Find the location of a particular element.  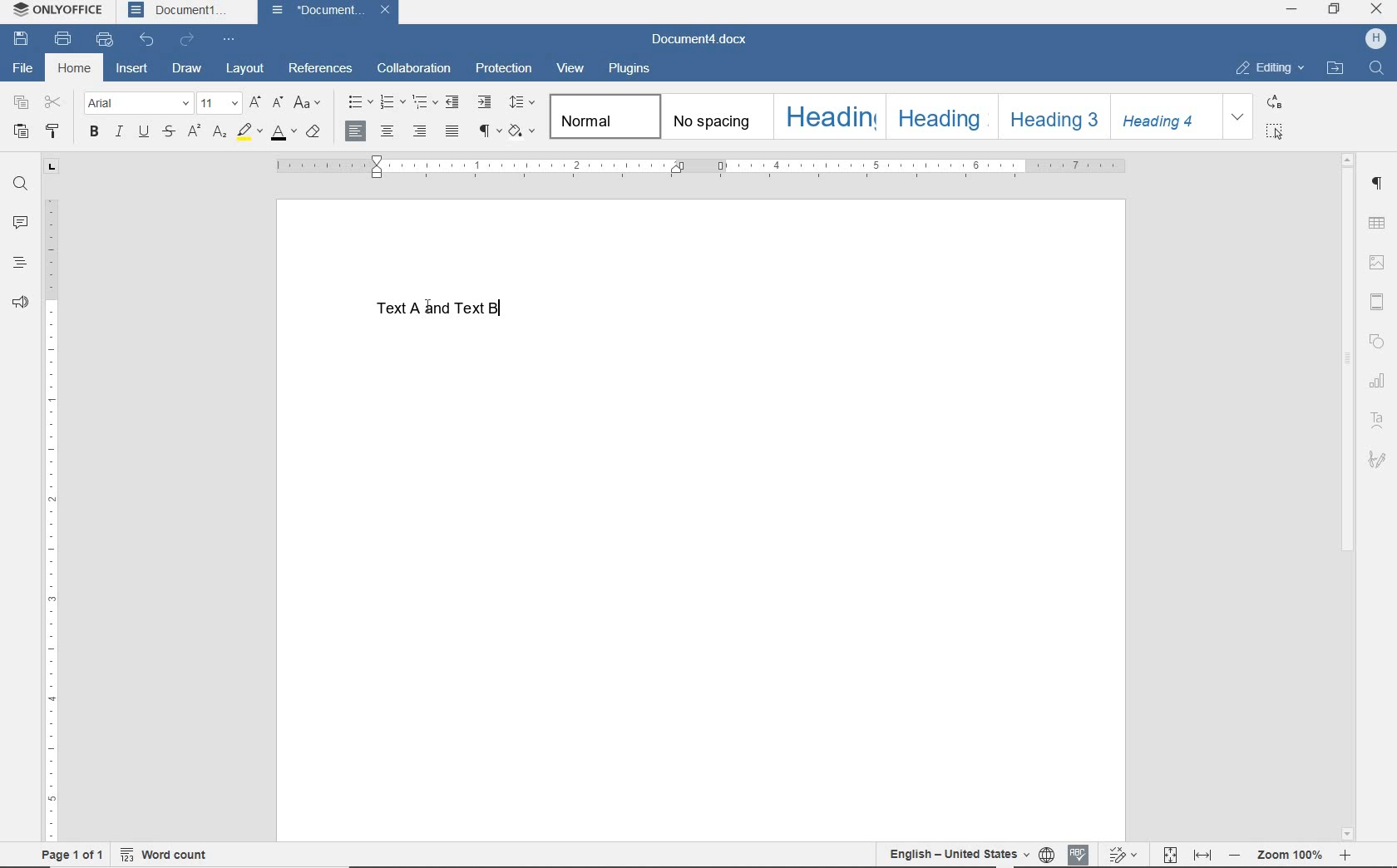

STRIKETHROUGH is located at coordinates (168, 133).